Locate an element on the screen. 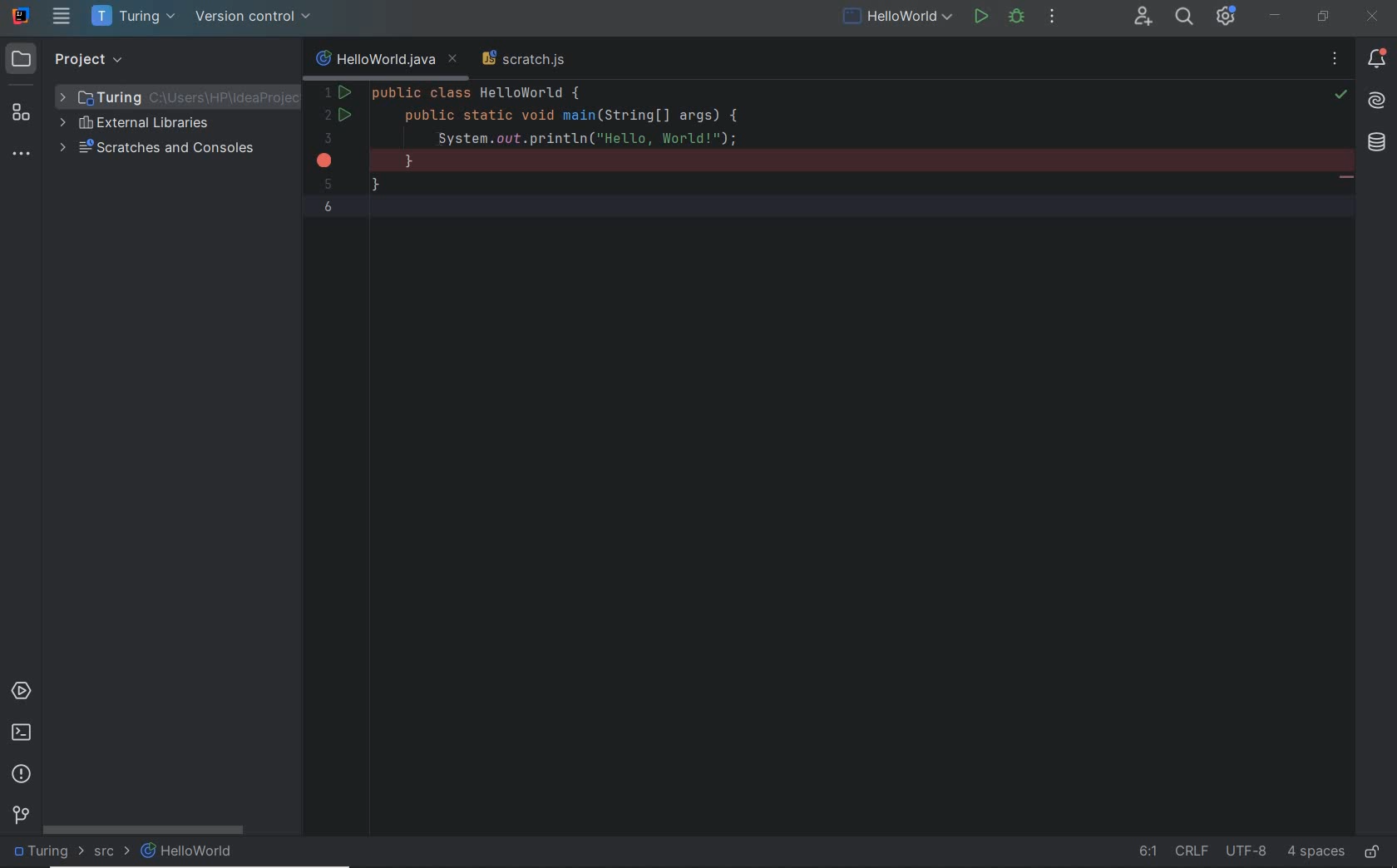 This screenshot has height=868, width=1397. cursor is located at coordinates (437, 139).